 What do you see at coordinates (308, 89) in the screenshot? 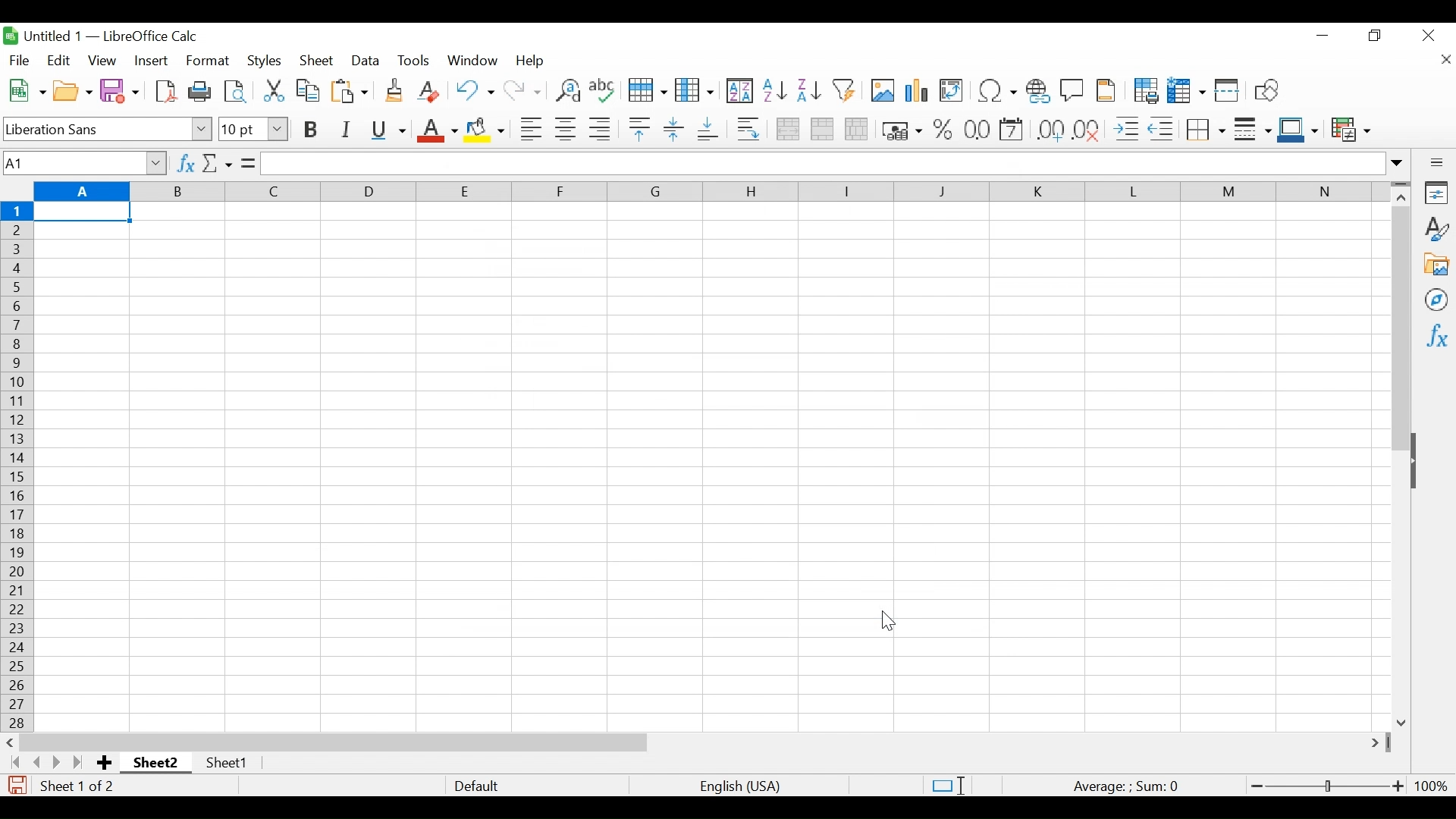
I see `Copy` at bounding box center [308, 89].